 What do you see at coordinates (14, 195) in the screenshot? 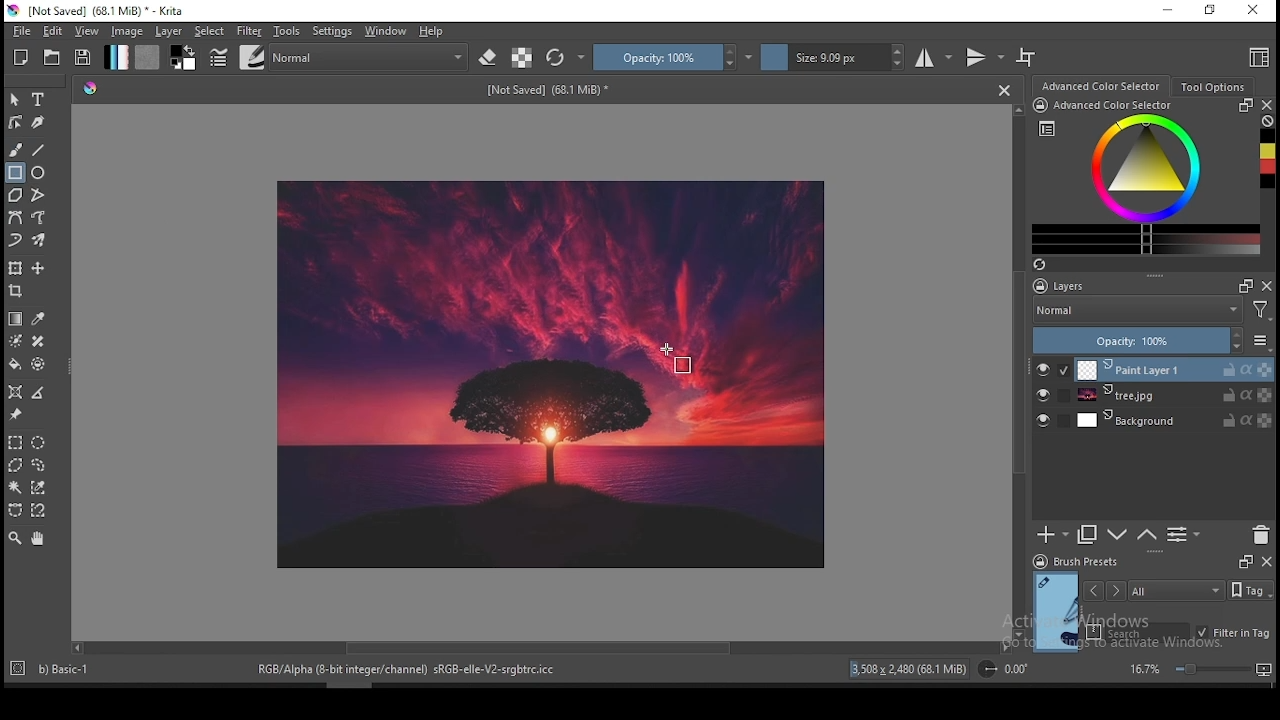
I see `polygon tool` at bounding box center [14, 195].